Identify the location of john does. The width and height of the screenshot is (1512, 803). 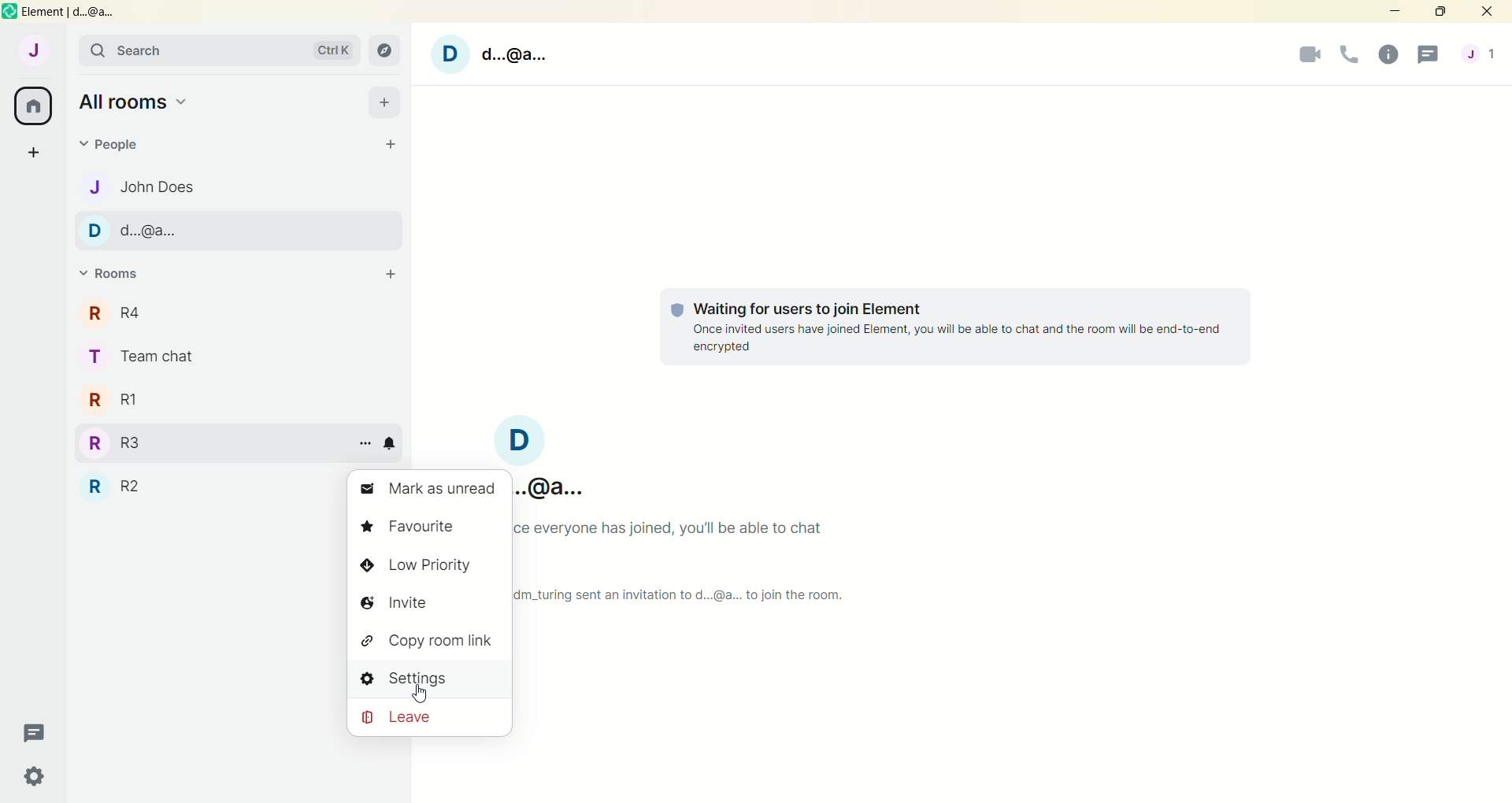
(242, 185).